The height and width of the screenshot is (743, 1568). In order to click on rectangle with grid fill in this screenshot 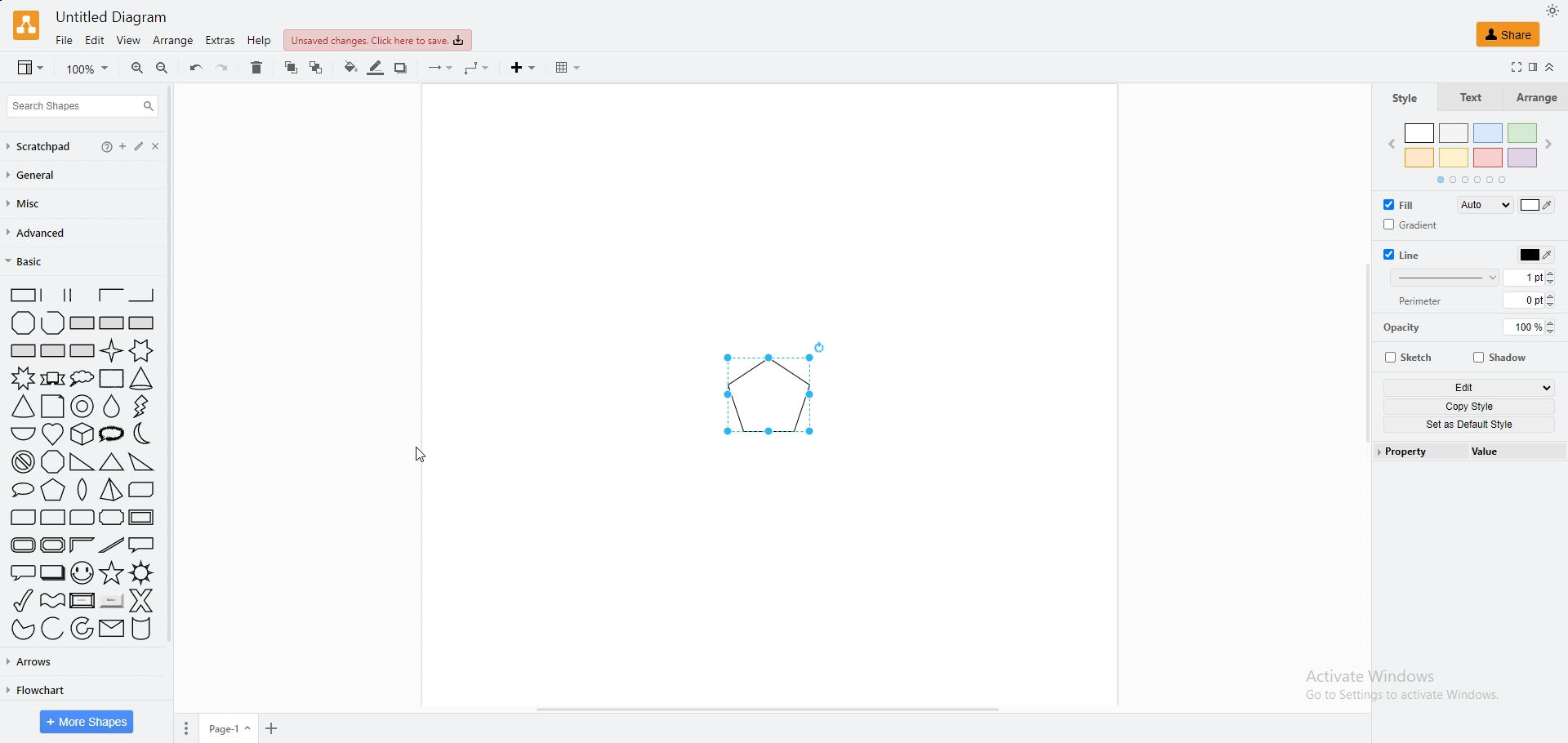, I will do `click(53, 351)`.